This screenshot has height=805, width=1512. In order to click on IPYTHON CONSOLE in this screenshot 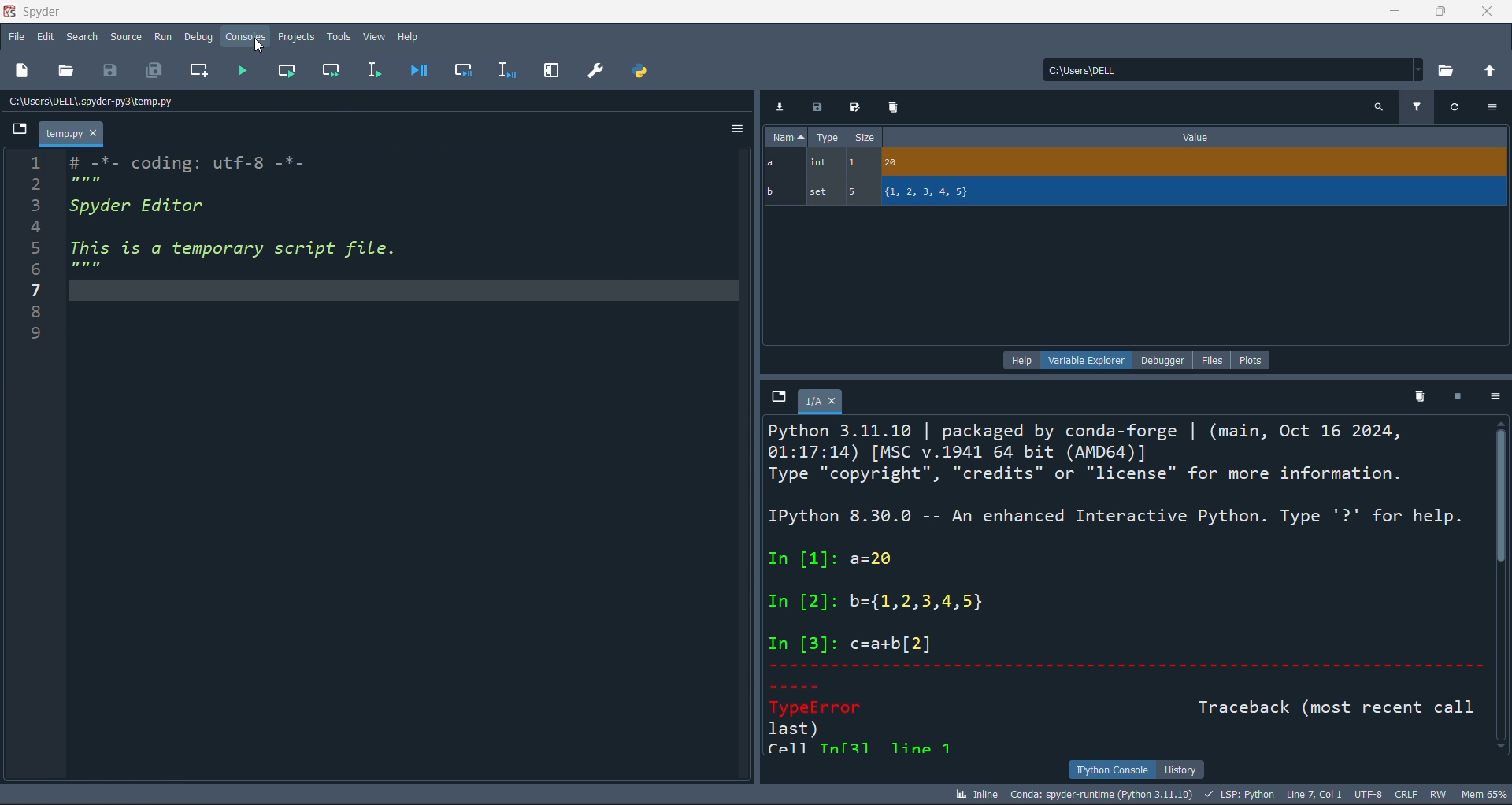, I will do `click(1111, 767)`.